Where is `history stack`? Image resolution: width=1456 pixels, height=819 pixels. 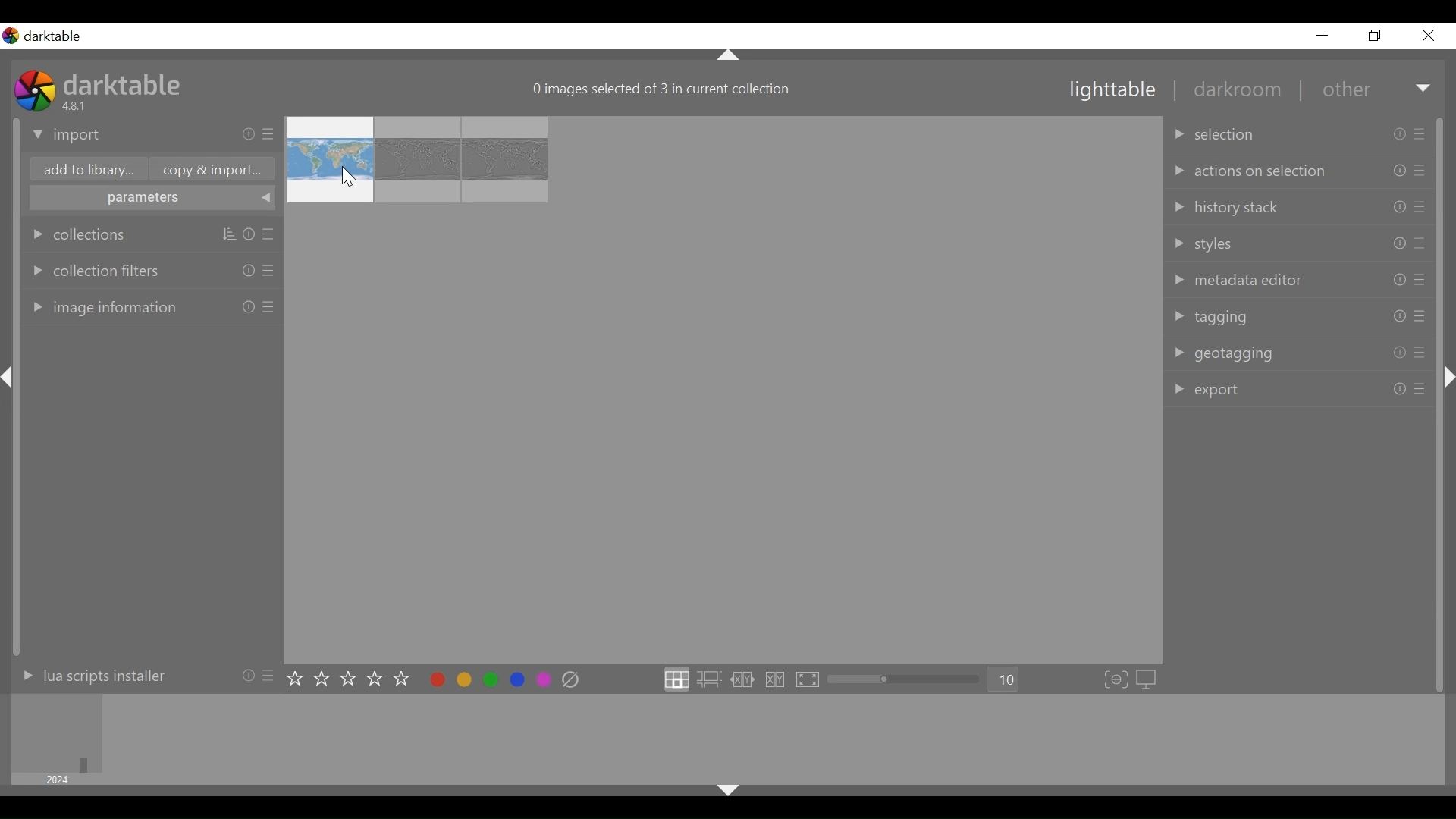
history stack is located at coordinates (1302, 206).